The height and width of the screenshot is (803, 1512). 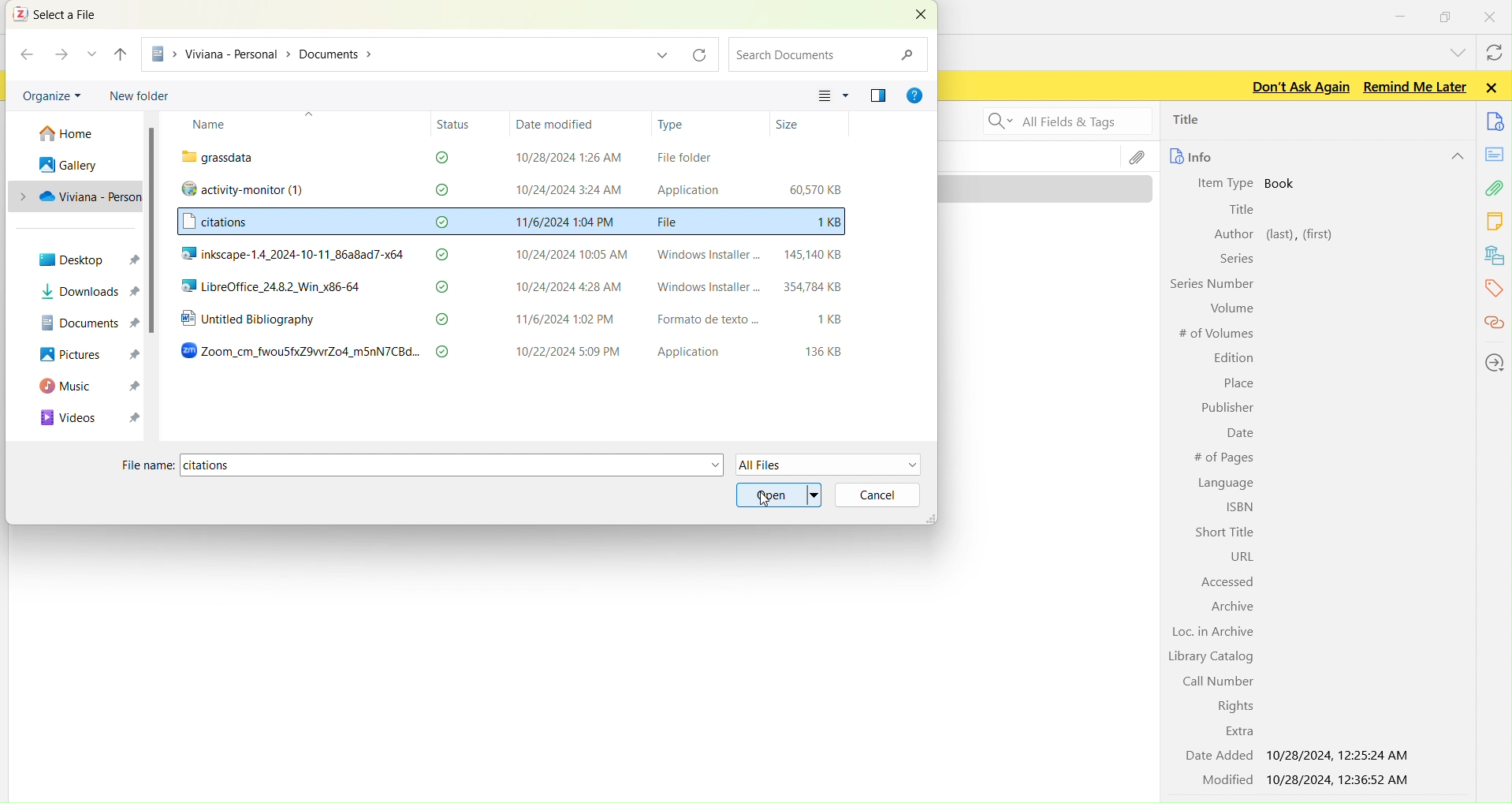 What do you see at coordinates (813, 189) in the screenshot?
I see `60,570 KB` at bounding box center [813, 189].